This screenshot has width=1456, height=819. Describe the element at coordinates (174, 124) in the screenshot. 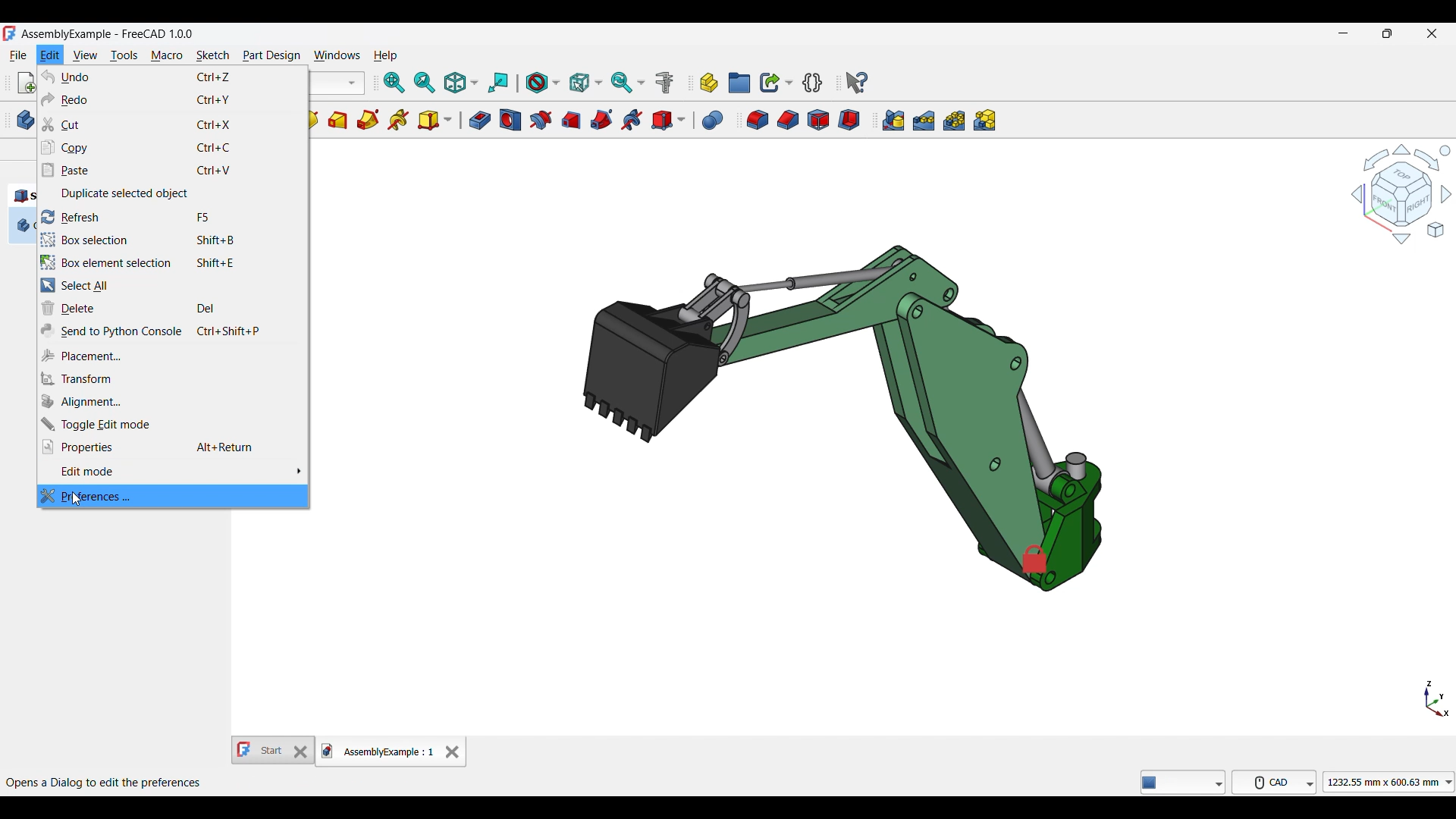

I see `Cut` at that location.